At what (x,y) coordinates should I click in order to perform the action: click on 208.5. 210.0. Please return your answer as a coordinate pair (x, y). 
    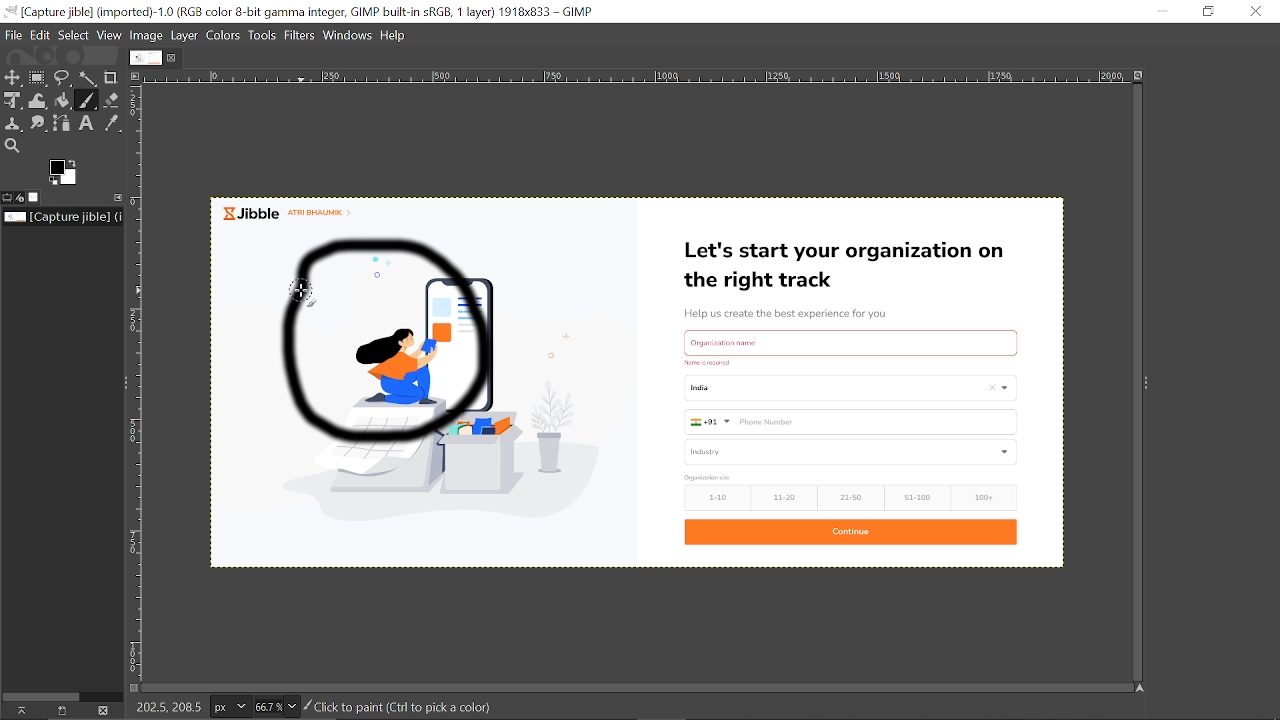
    Looking at the image, I should click on (168, 704).